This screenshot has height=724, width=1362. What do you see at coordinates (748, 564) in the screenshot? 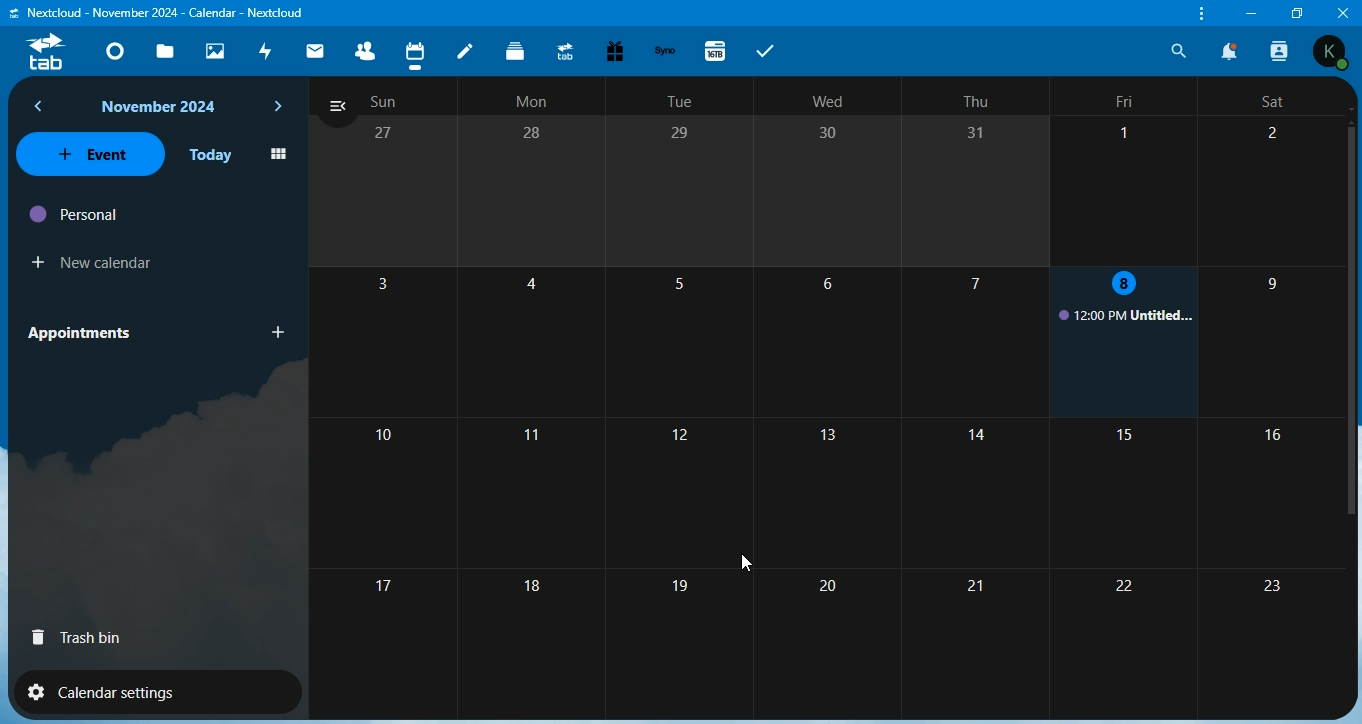
I see `cursor` at bounding box center [748, 564].